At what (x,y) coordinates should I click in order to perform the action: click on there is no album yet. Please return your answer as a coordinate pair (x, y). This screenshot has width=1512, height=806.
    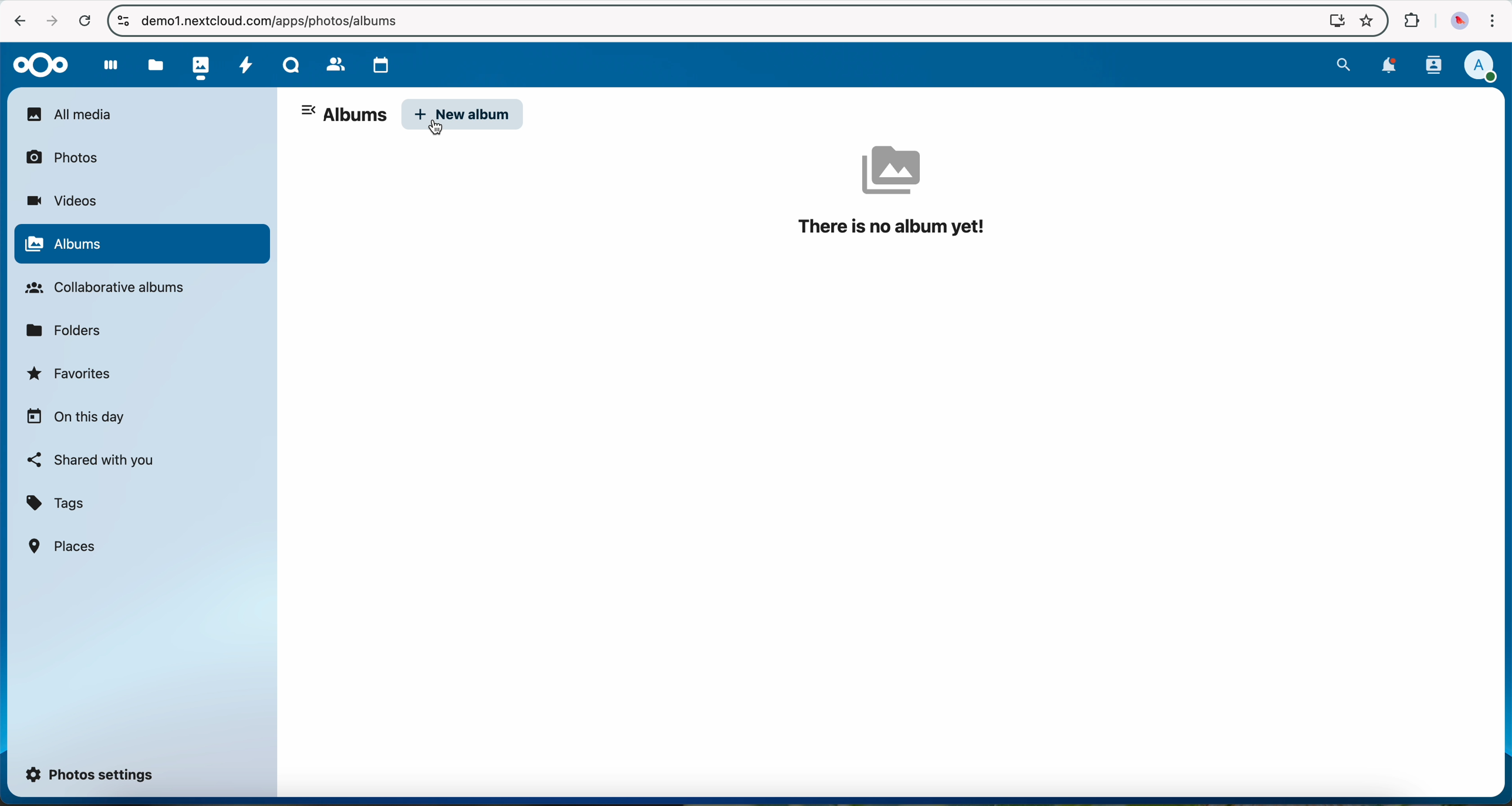
    Looking at the image, I should click on (897, 191).